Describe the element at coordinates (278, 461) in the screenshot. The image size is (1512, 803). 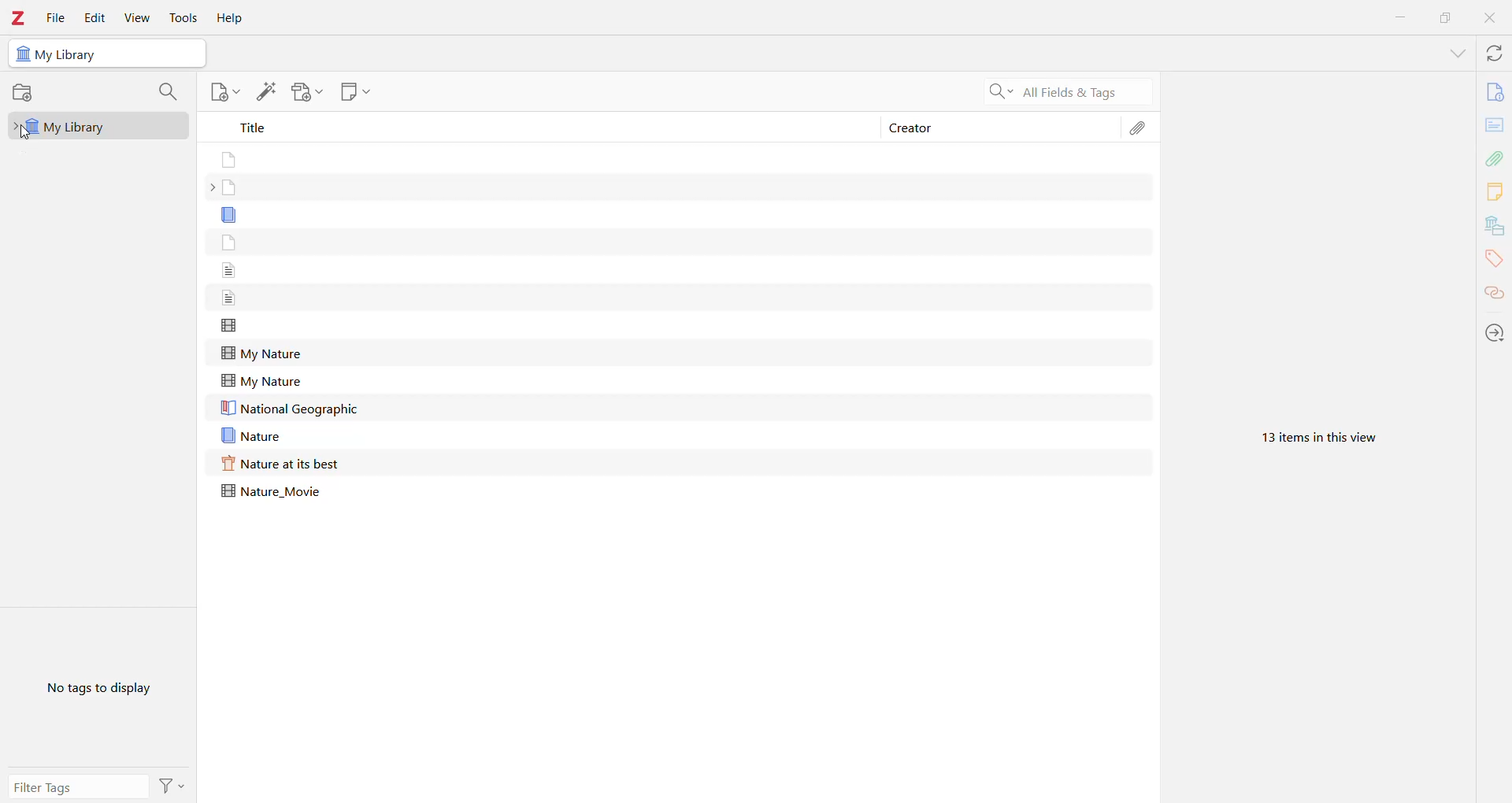
I see `Nature at its best file` at that location.